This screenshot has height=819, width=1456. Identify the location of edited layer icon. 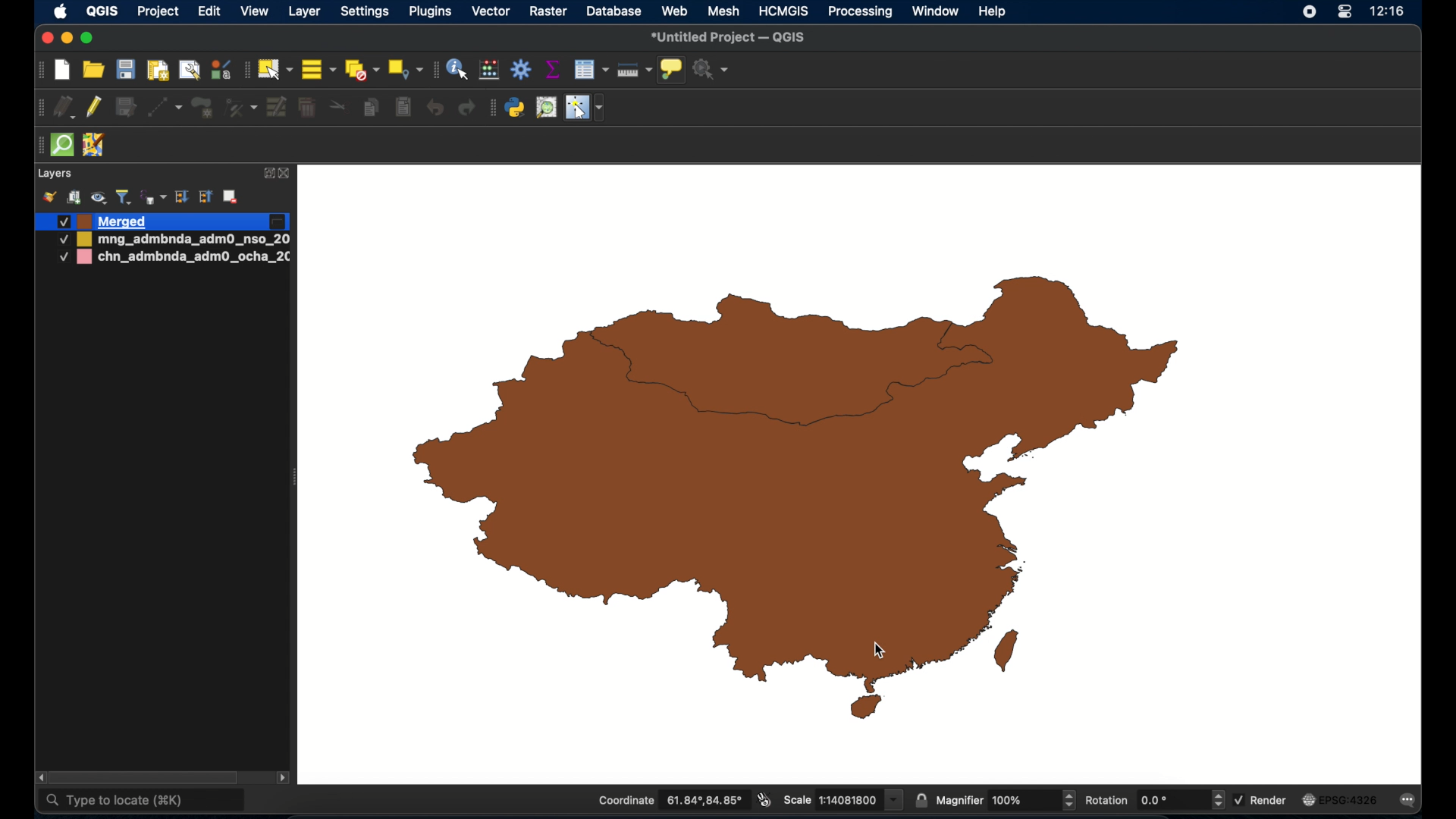
(277, 222).